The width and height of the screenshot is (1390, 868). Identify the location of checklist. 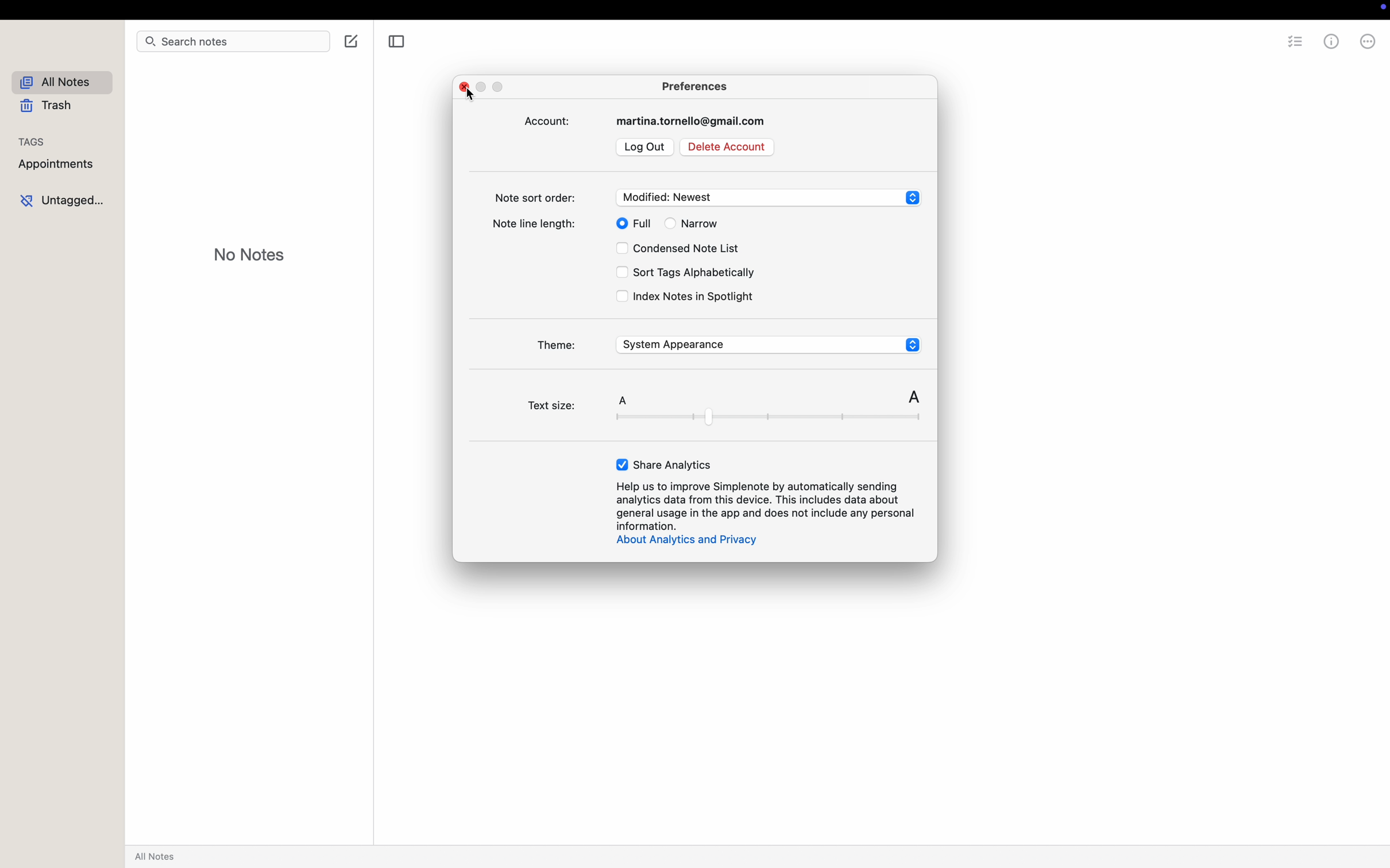
(1293, 44).